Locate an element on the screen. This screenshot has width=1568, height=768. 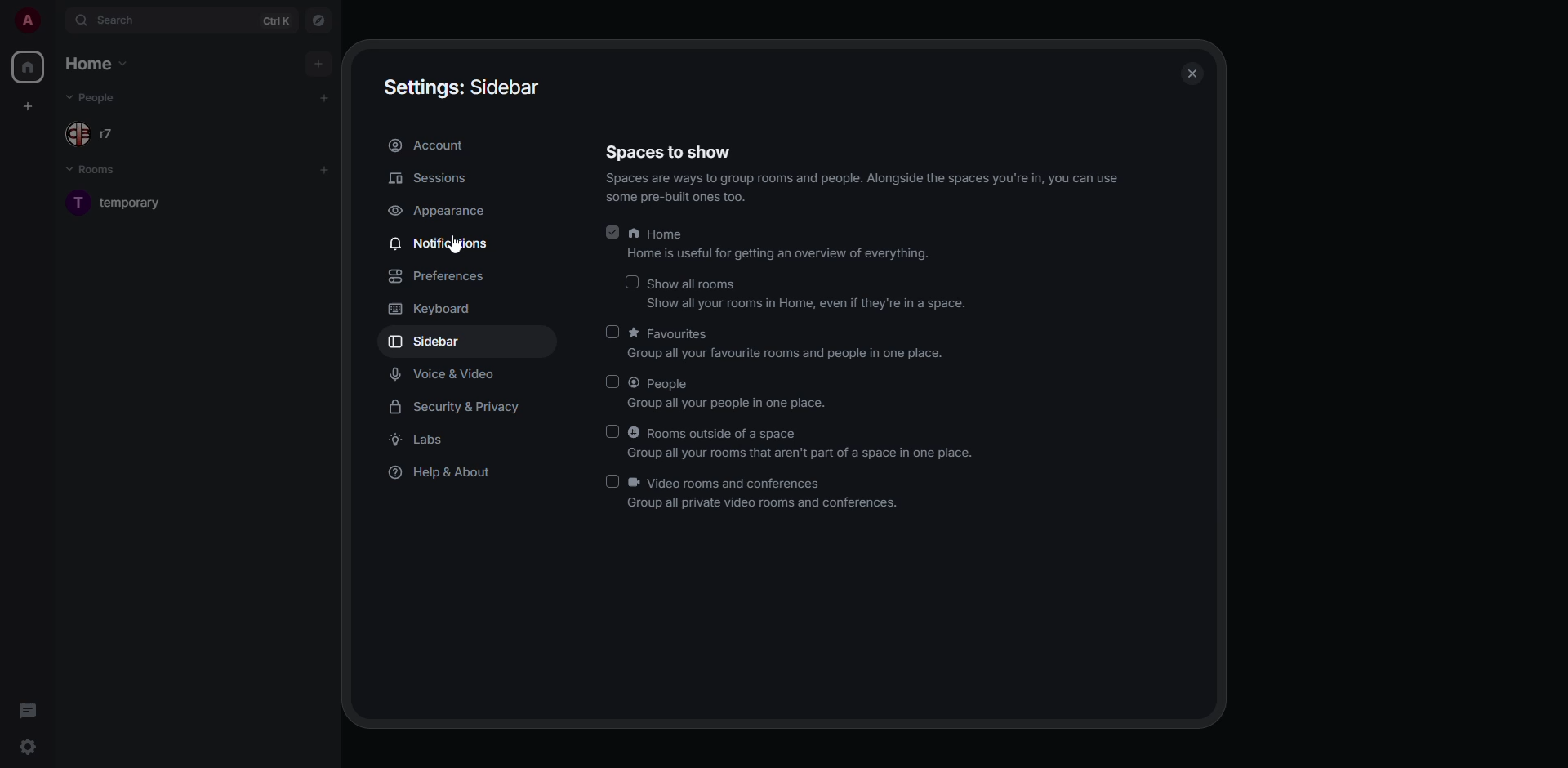
notifications is located at coordinates (443, 242).